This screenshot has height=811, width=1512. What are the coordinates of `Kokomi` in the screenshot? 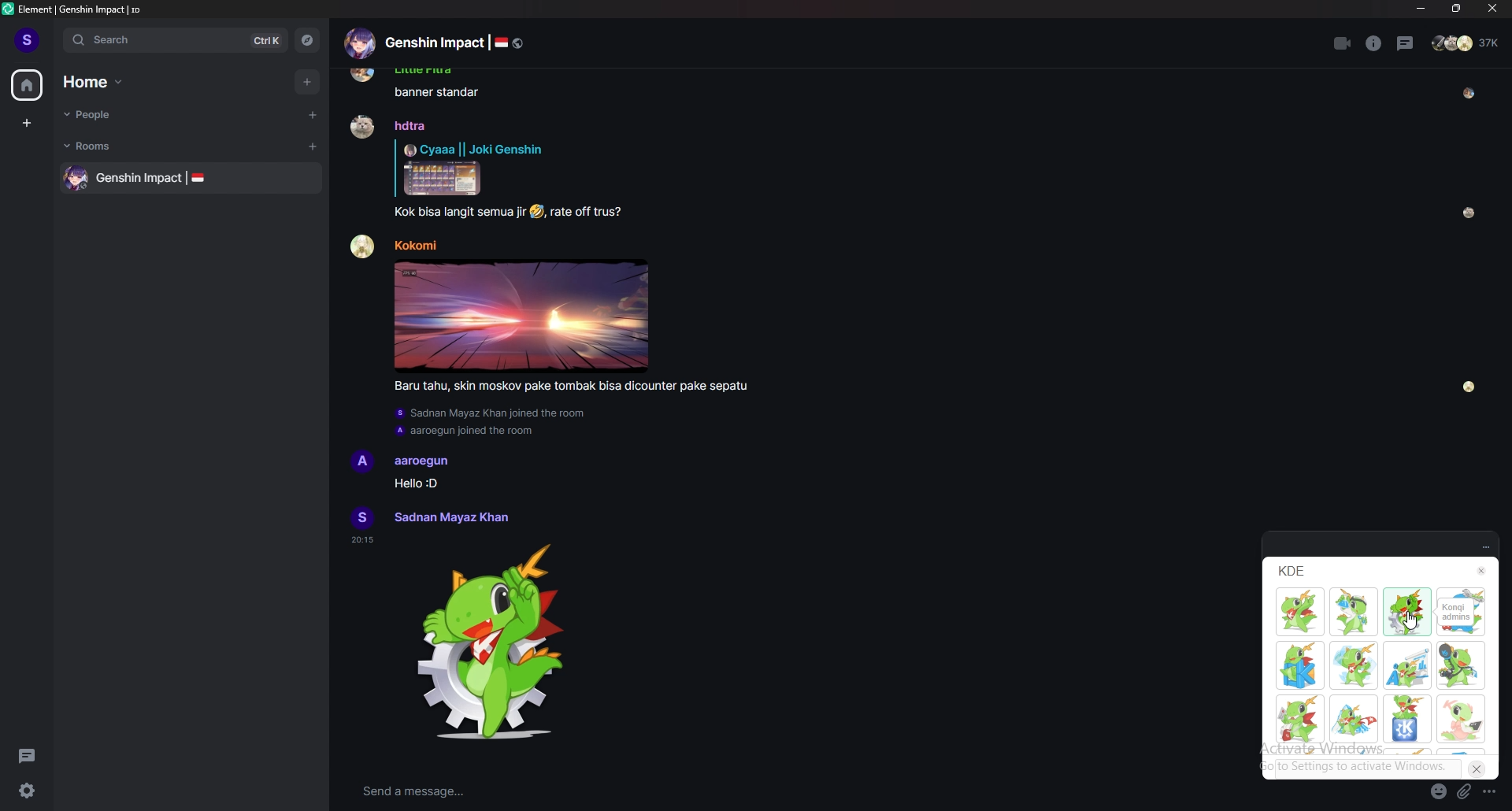 It's located at (415, 245).